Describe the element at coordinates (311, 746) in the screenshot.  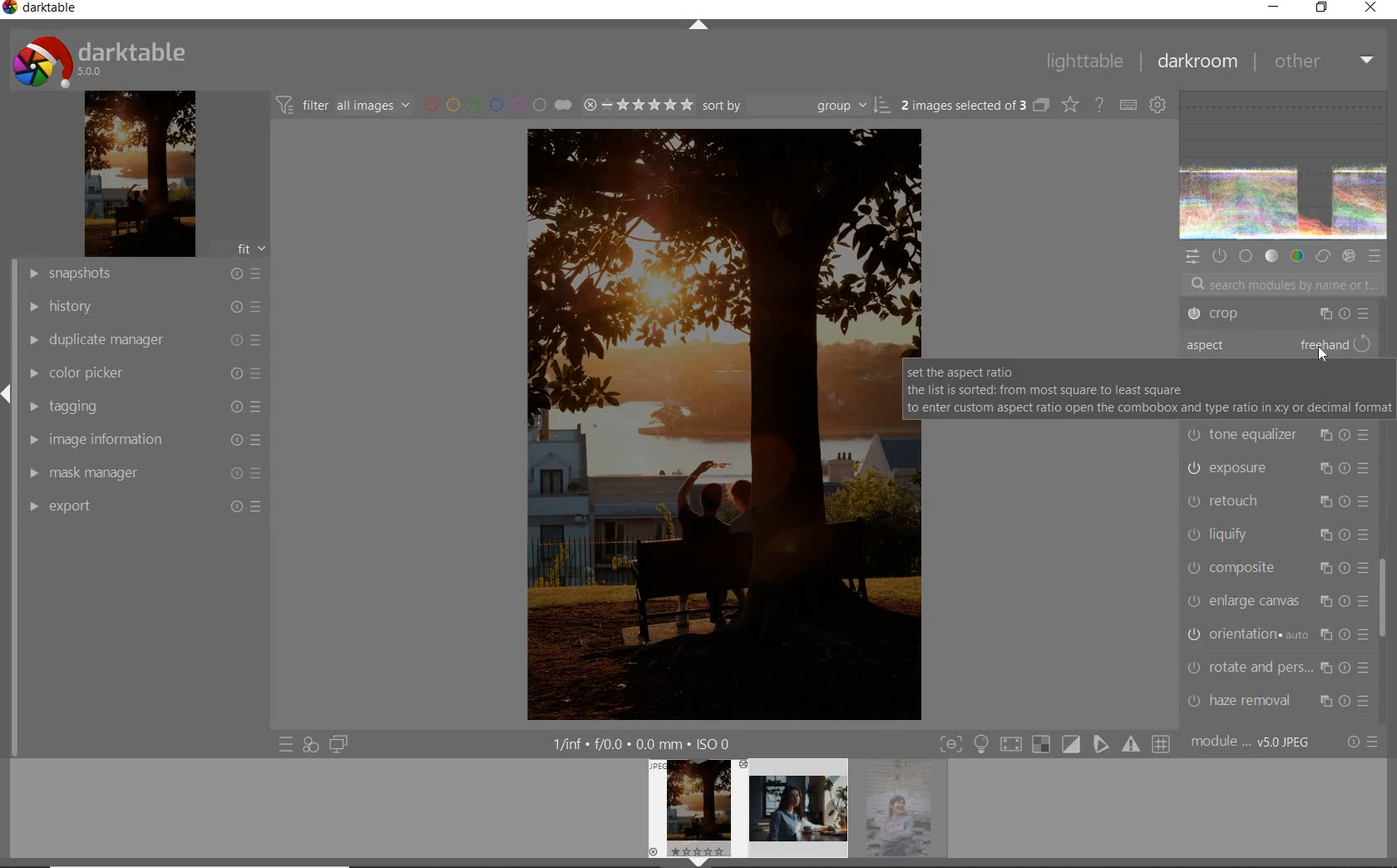
I see `quick access for applying any of your style` at that location.